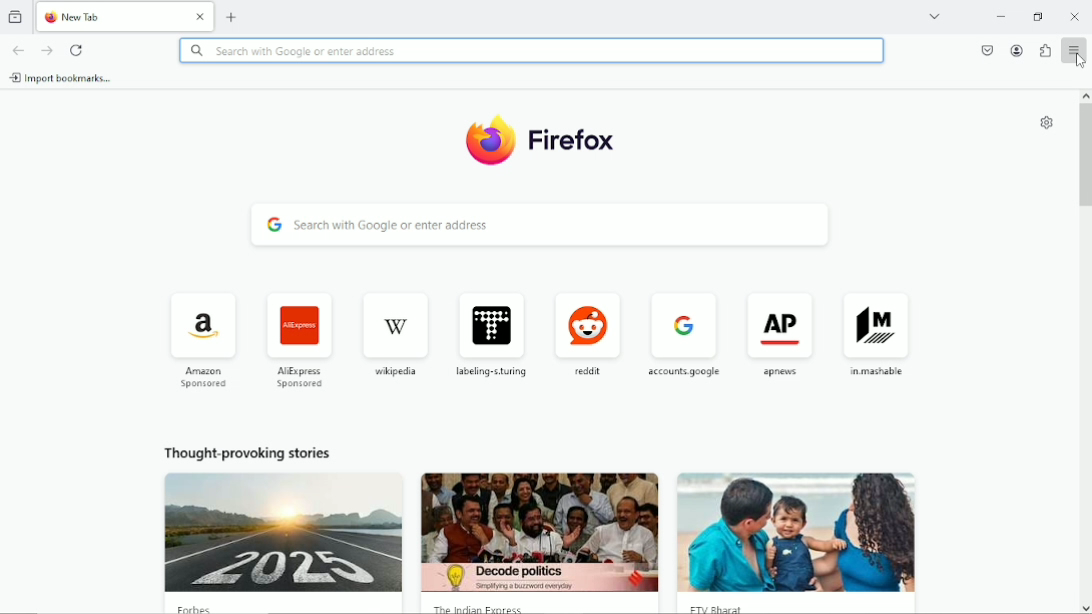  Describe the element at coordinates (490, 139) in the screenshot. I see `firefox logo` at that location.